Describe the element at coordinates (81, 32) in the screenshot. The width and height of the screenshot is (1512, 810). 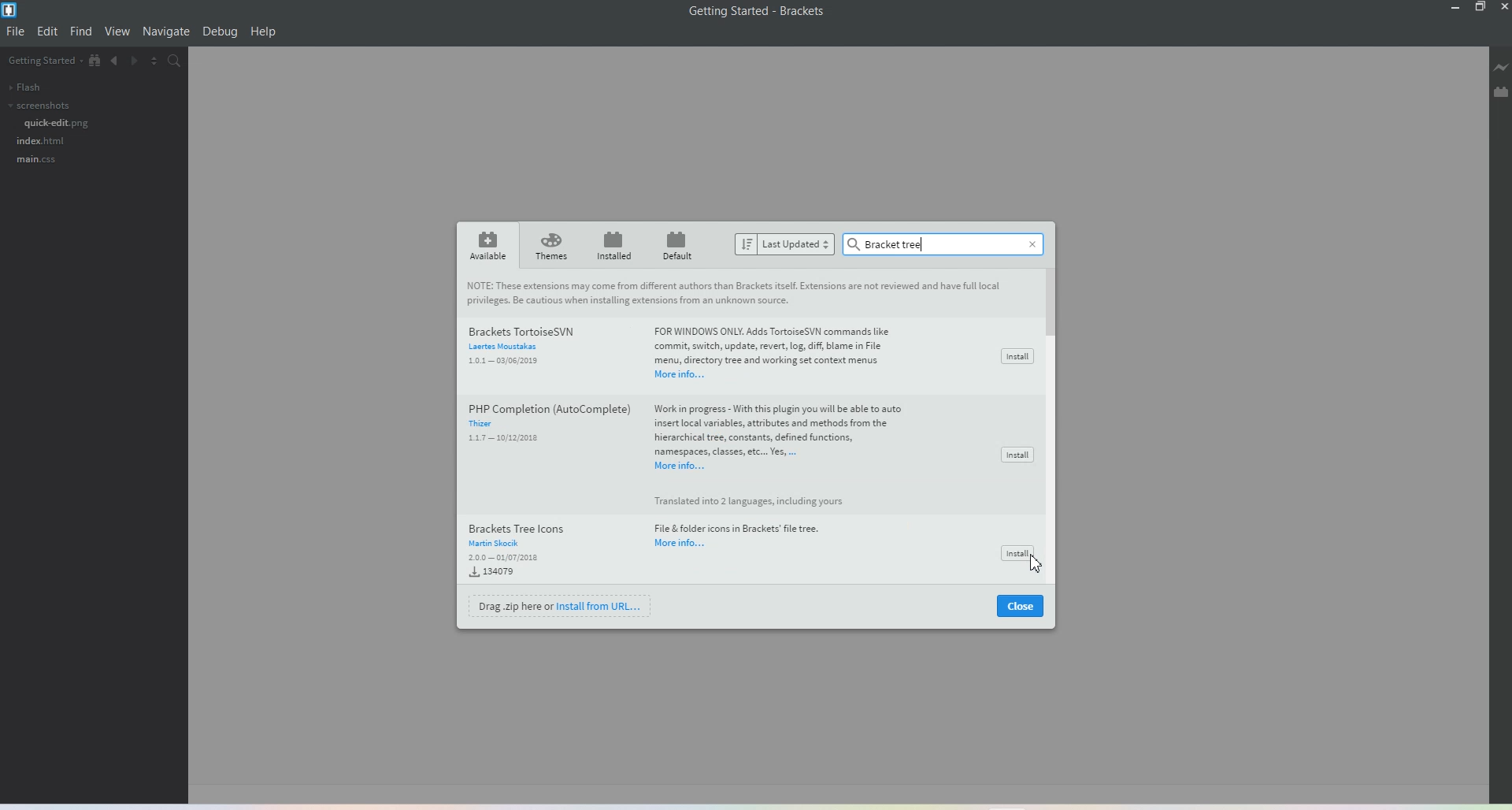
I see `Find` at that location.